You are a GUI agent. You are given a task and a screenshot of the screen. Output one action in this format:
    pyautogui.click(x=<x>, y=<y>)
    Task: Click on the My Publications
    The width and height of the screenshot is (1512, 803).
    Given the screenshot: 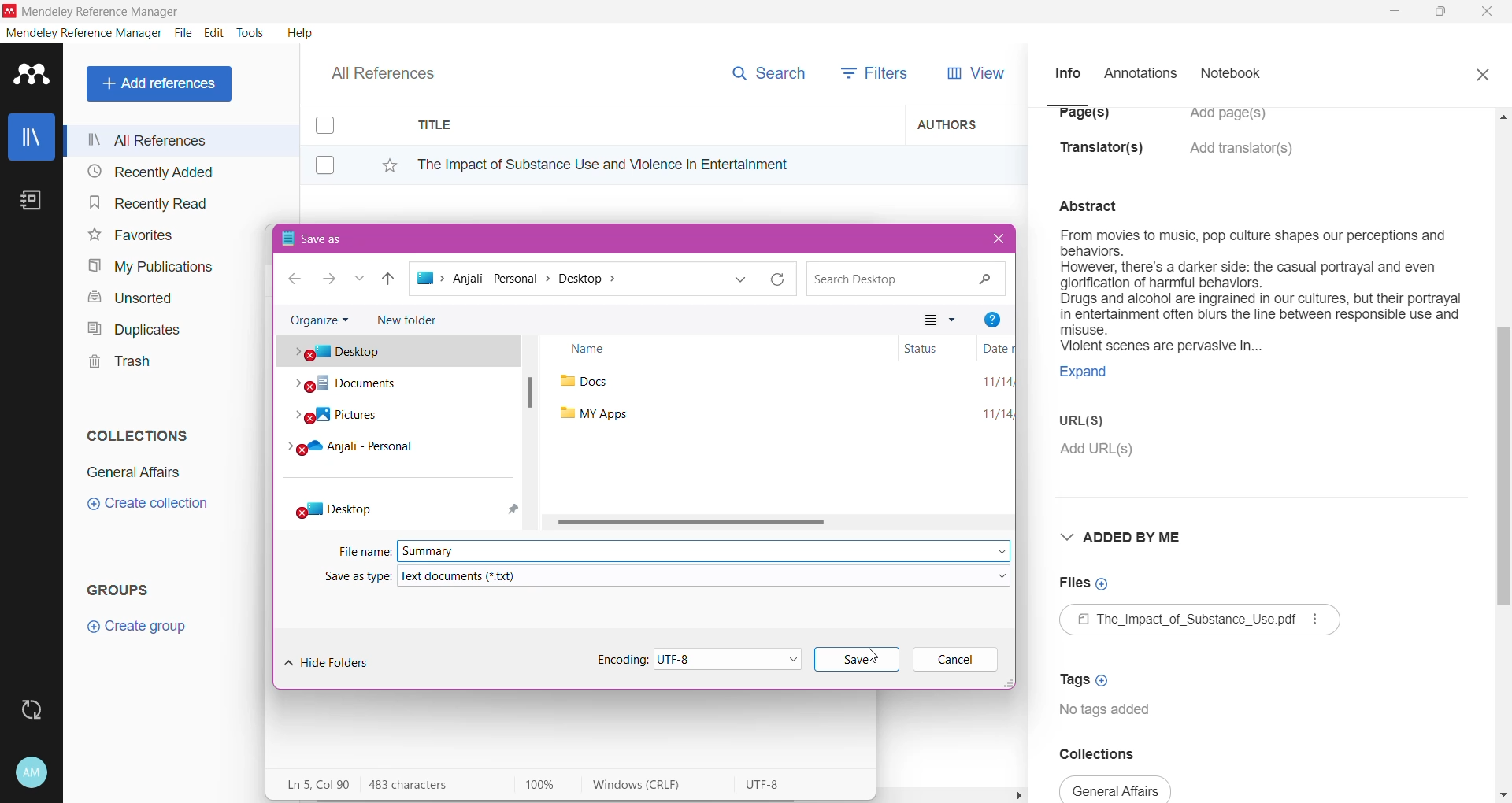 What is the action you would take?
    pyautogui.click(x=149, y=267)
    